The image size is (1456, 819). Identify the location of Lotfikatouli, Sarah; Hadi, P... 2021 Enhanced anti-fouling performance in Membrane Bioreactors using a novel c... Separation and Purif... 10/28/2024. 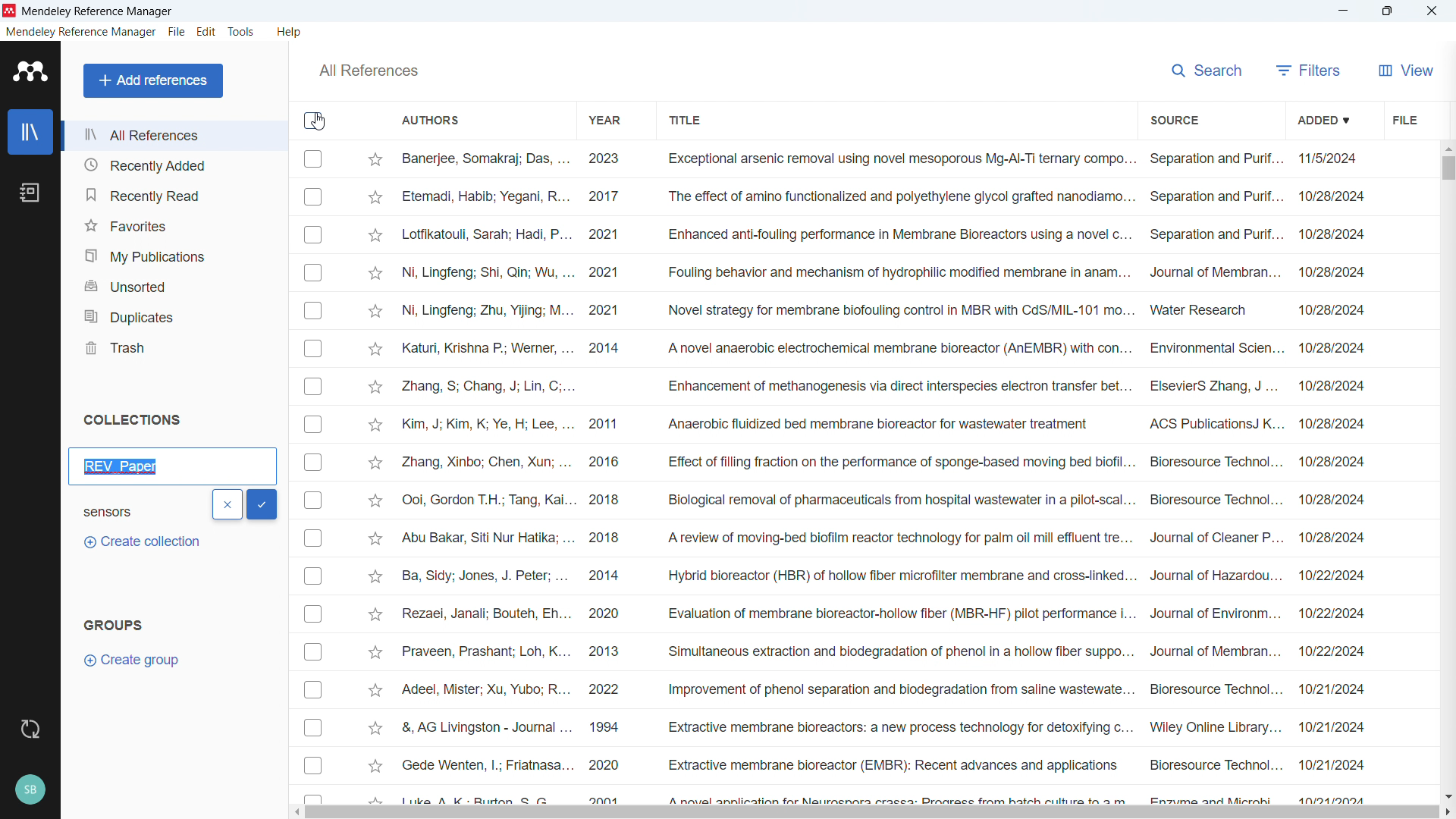
(883, 234).